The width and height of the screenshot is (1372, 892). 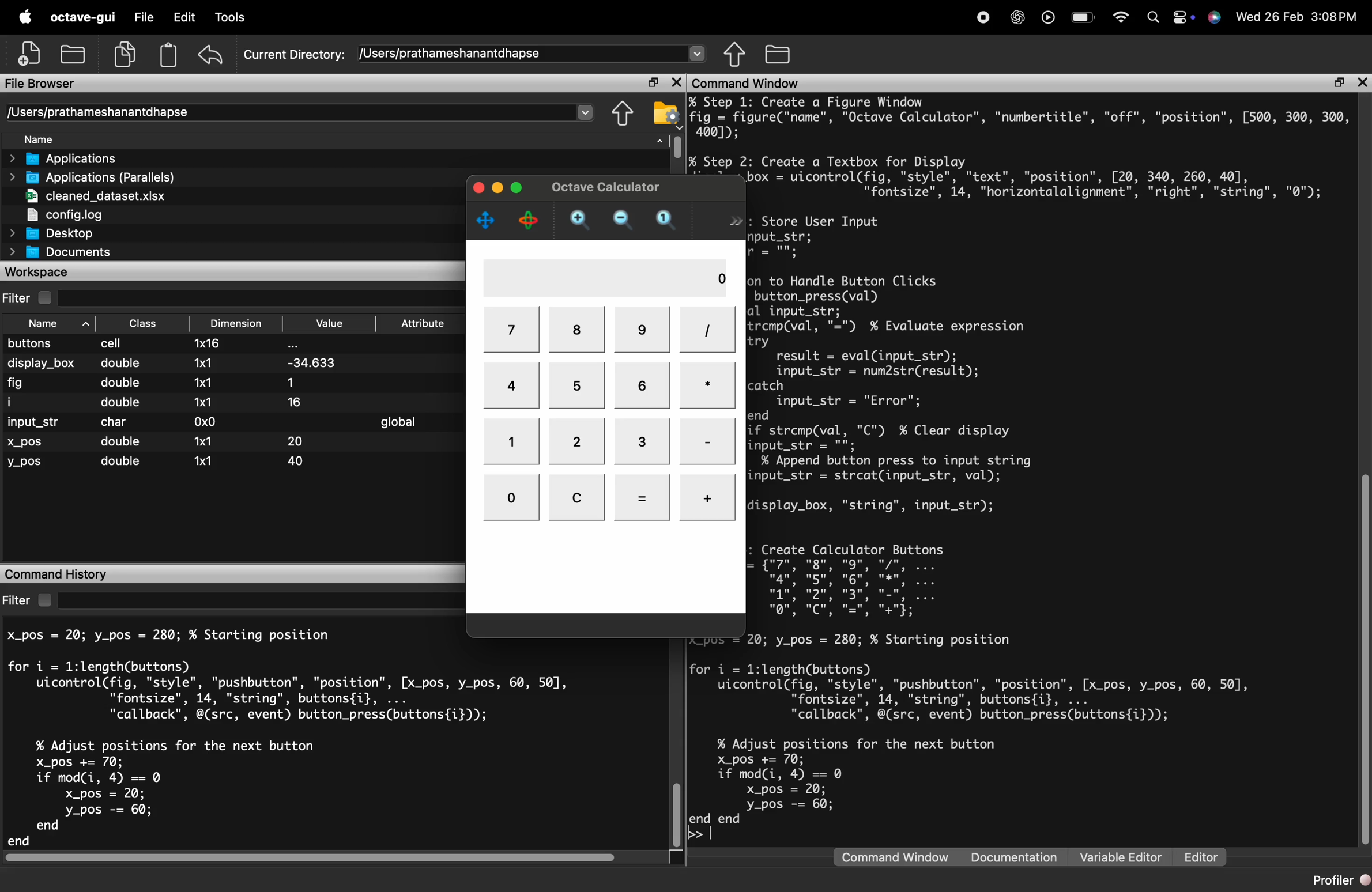 I want to click on zoom out, so click(x=623, y=219).